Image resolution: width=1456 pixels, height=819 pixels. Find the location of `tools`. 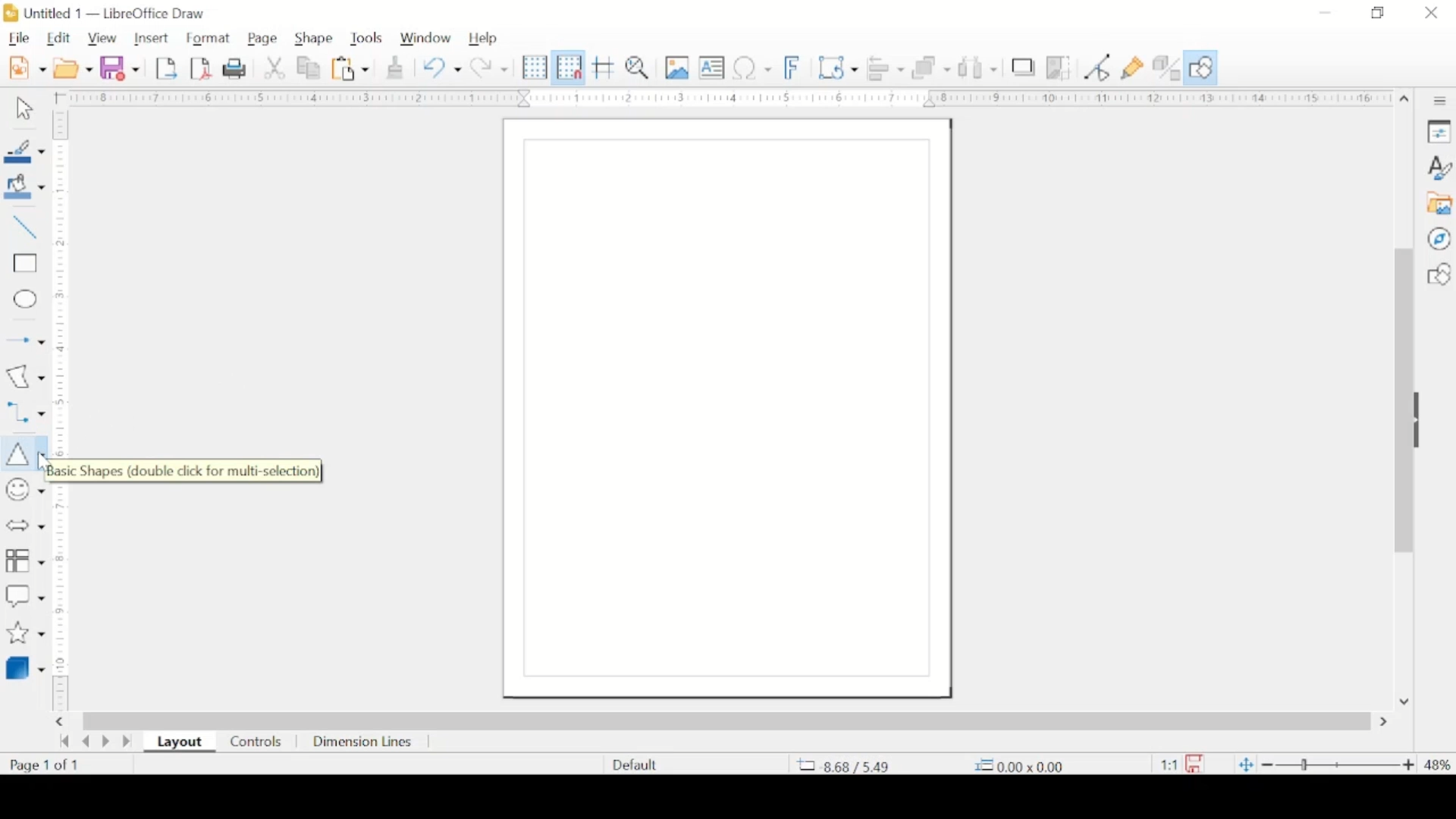

tools is located at coordinates (366, 38).